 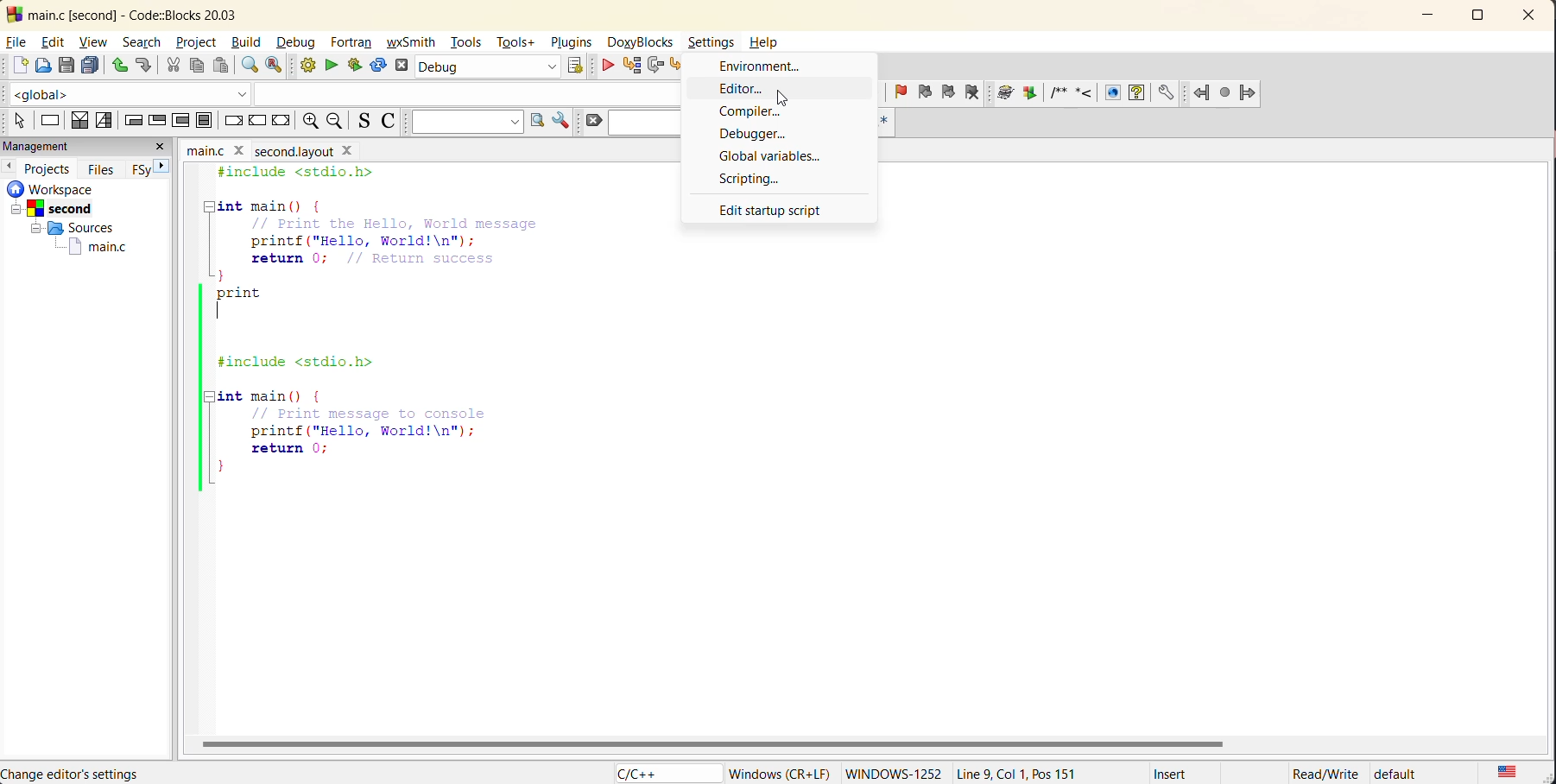 I want to click on close, so click(x=161, y=146).